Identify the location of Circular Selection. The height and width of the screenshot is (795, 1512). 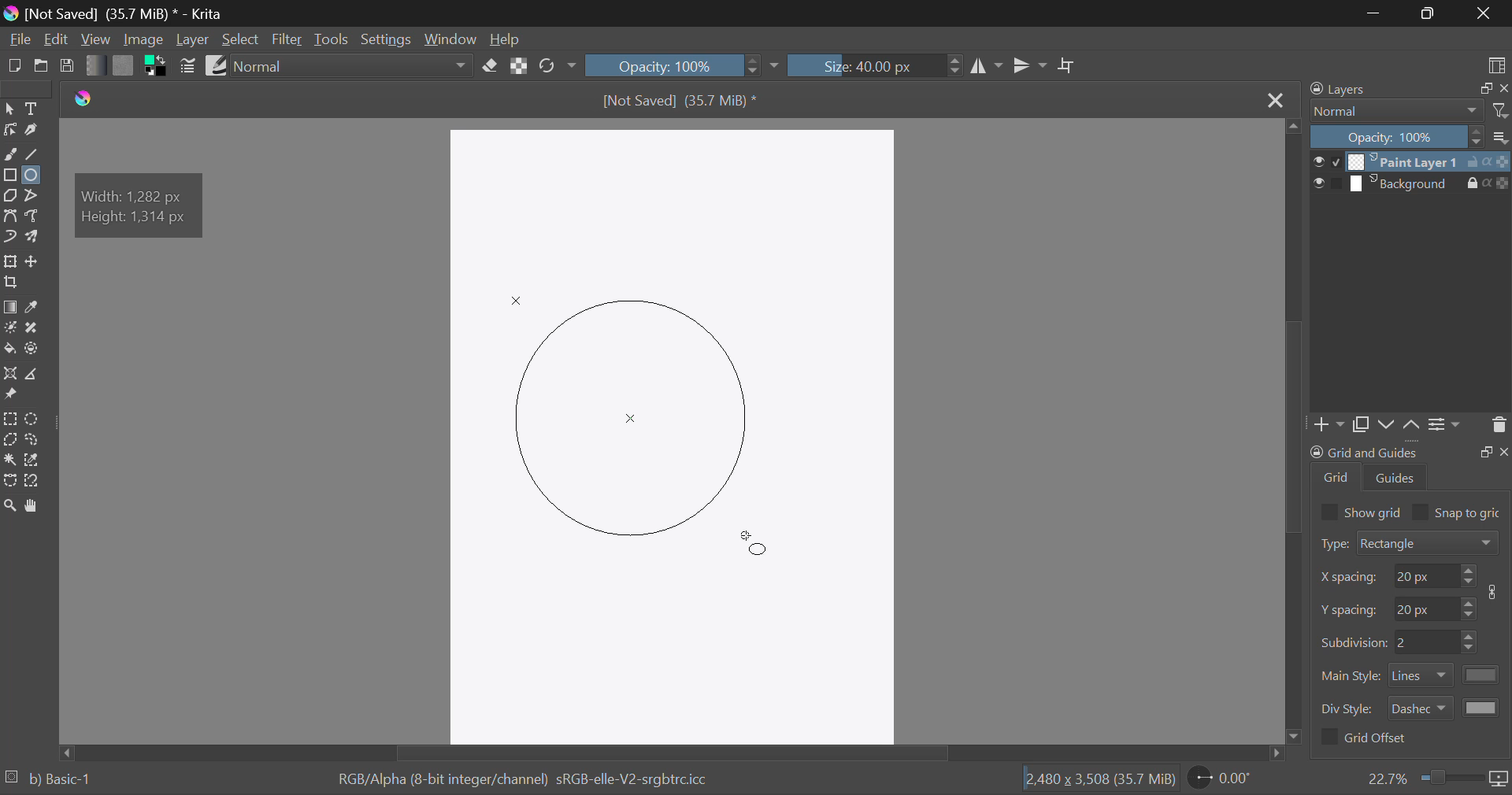
(33, 418).